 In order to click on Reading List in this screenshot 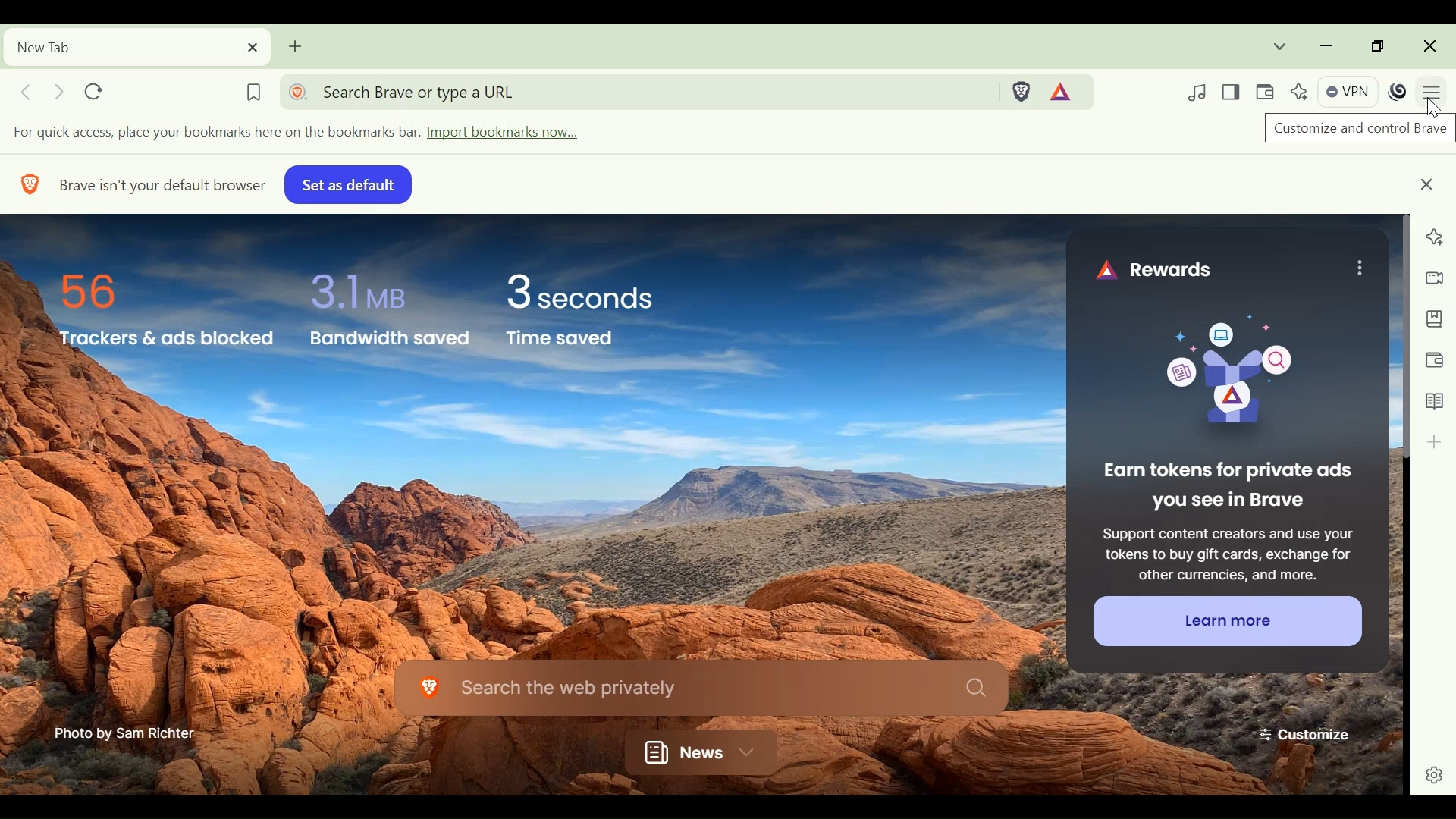, I will do `click(1430, 401)`.